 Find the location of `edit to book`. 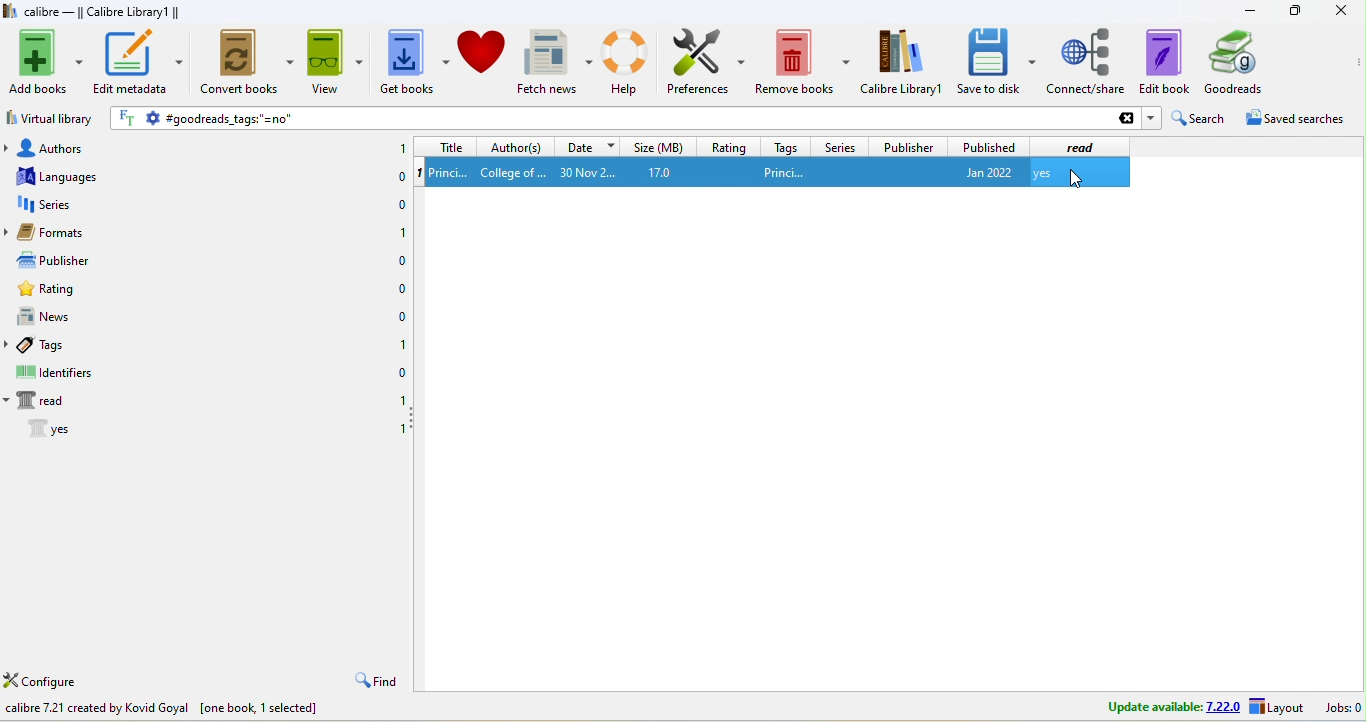

edit to book is located at coordinates (1164, 62).